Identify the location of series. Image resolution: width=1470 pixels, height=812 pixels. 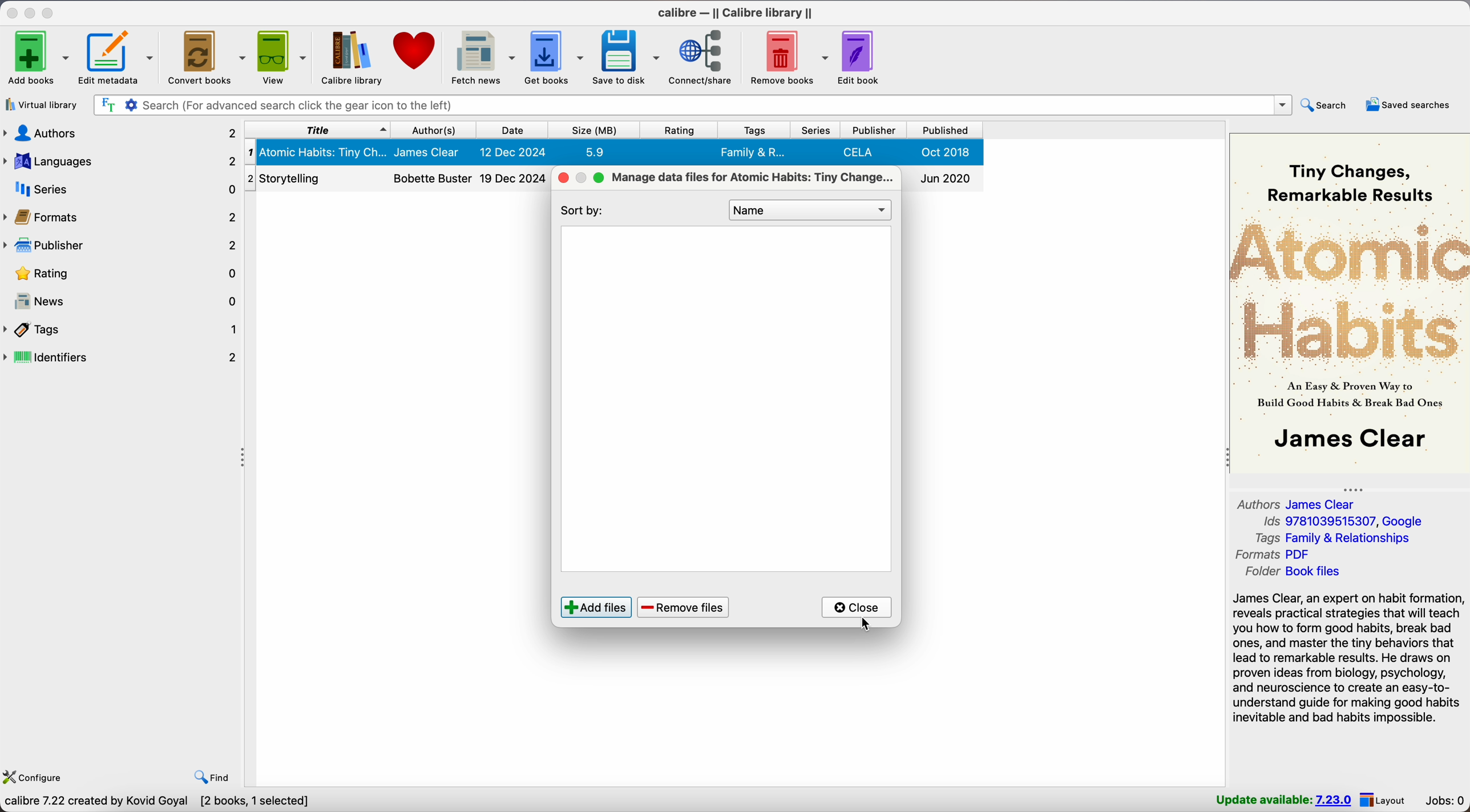
(814, 130).